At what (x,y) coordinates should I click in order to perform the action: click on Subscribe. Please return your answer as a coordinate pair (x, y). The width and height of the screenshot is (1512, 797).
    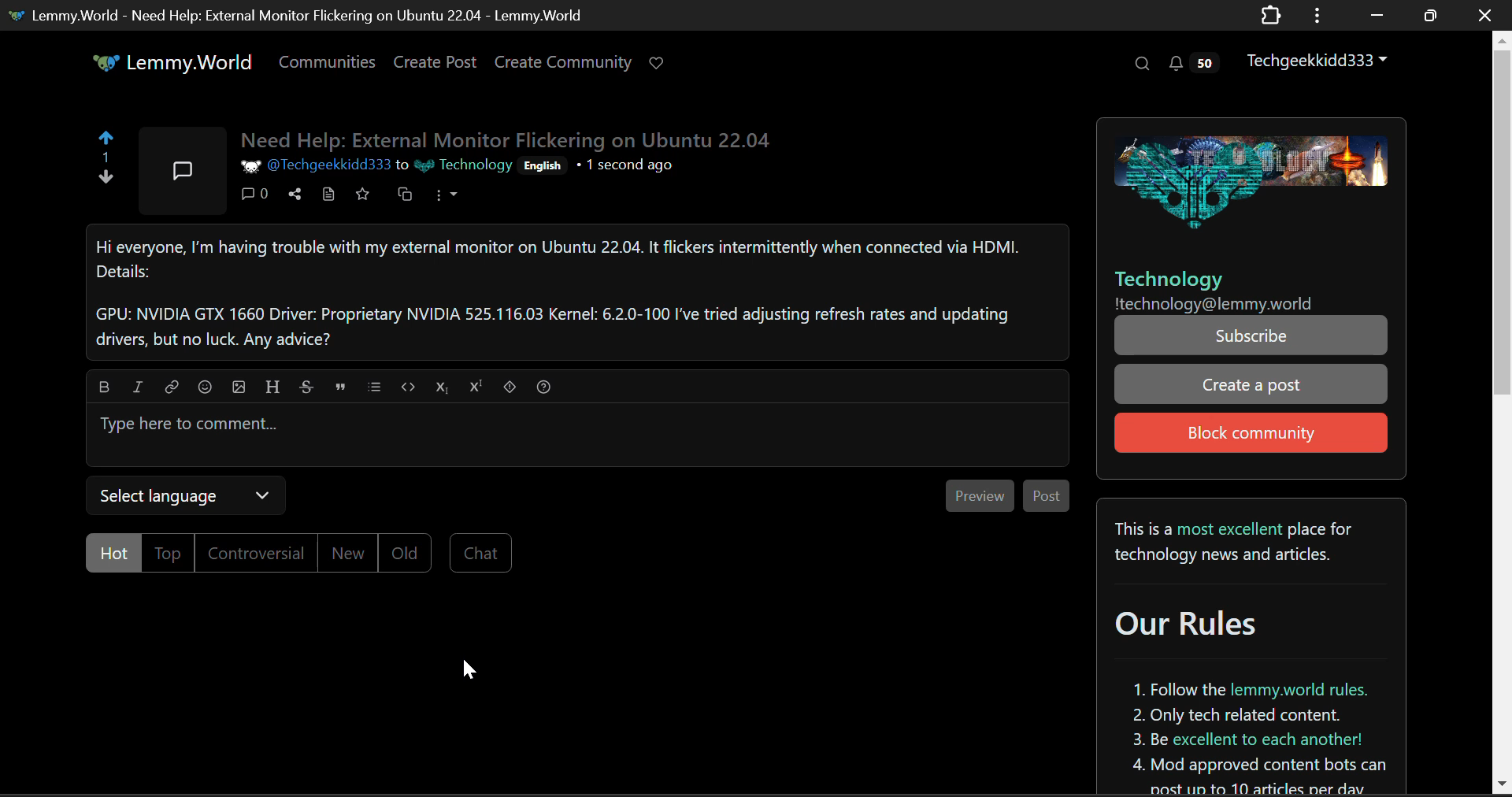
    Looking at the image, I should click on (1248, 338).